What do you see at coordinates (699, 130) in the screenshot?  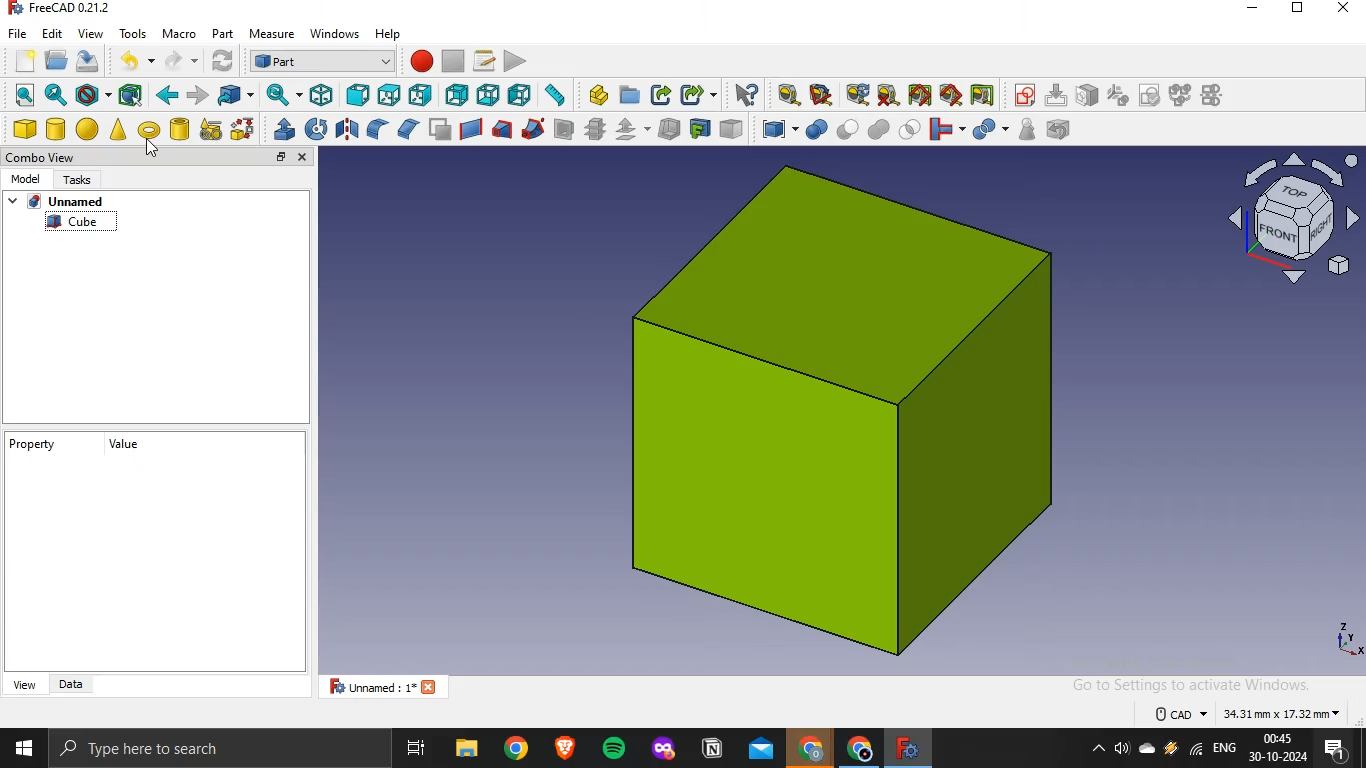 I see `create projection on surface` at bounding box center [699, 130].